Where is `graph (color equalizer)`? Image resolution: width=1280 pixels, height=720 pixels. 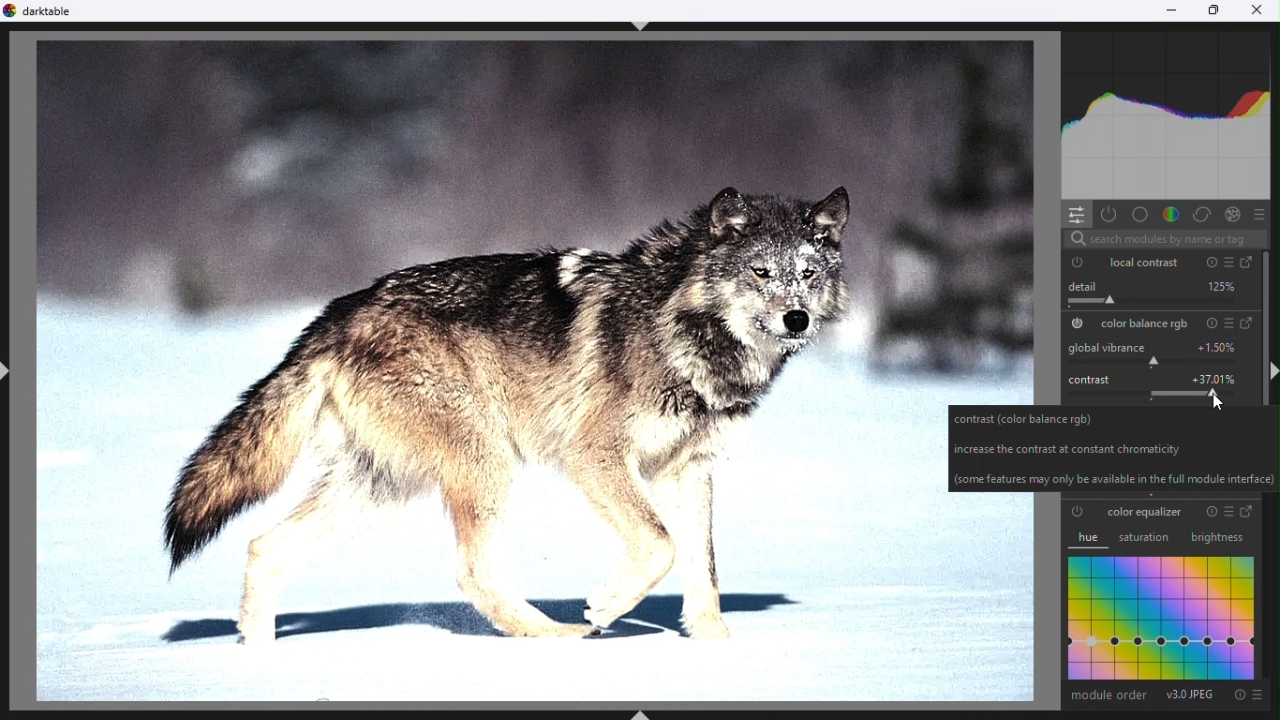
graph (color equalizer) is located at coordinates (1165, 621).